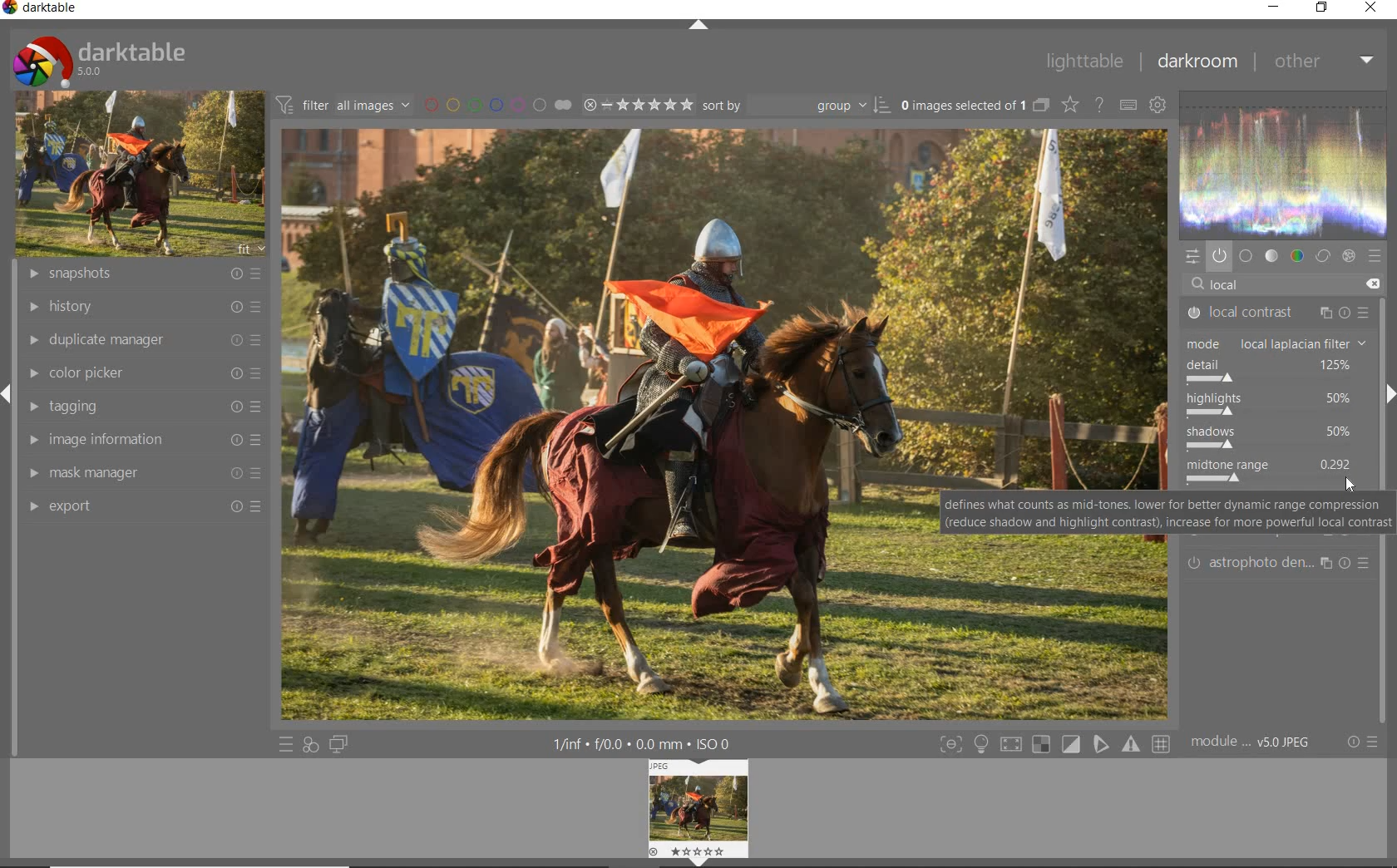 The height and width of the screenshot is (868, 1397). Describe the element at coordinates (1281, 343) in the screenshot. I see `MODE` at that location.